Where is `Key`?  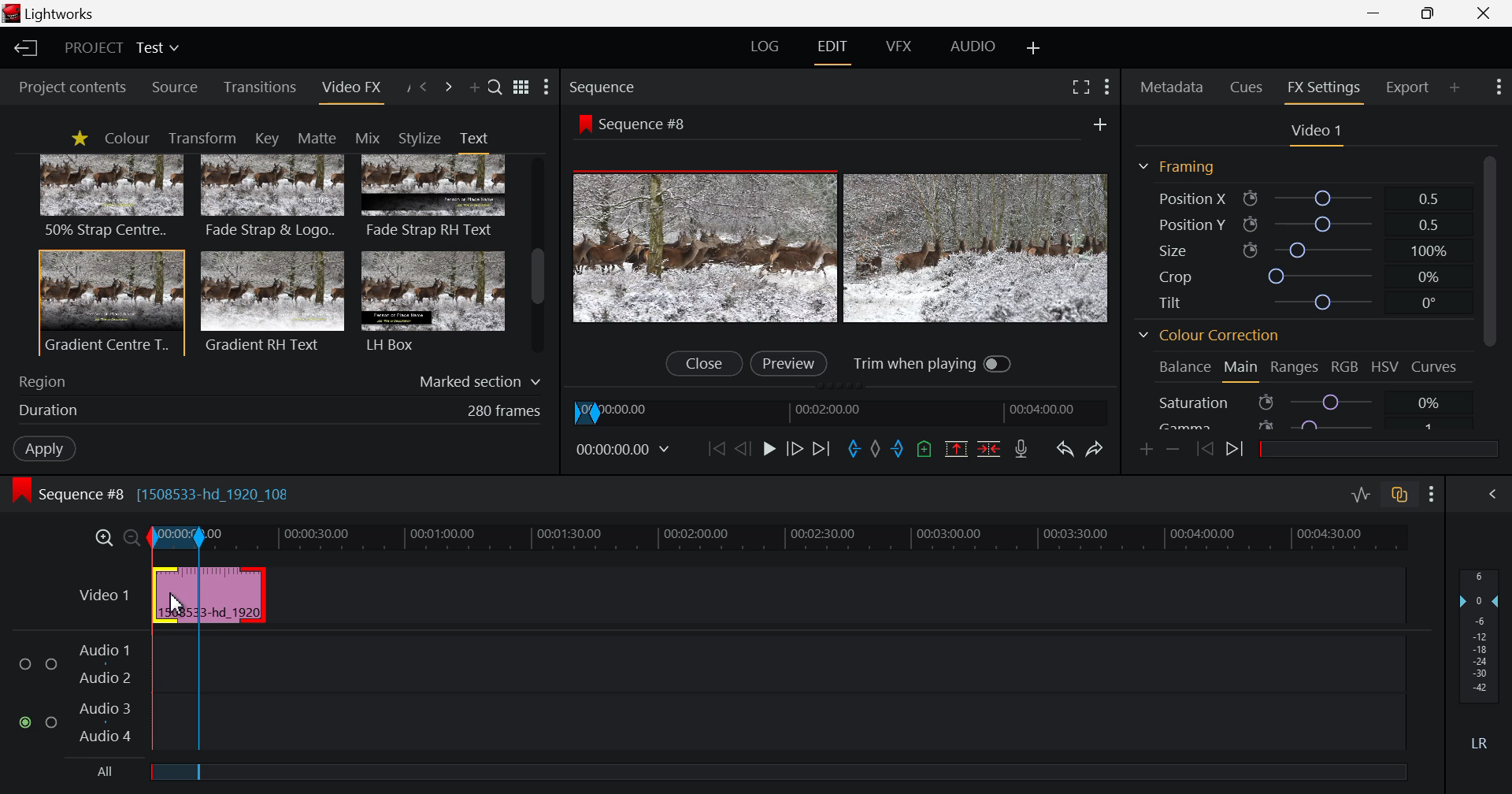
Key is located at coordinates (265, 139).